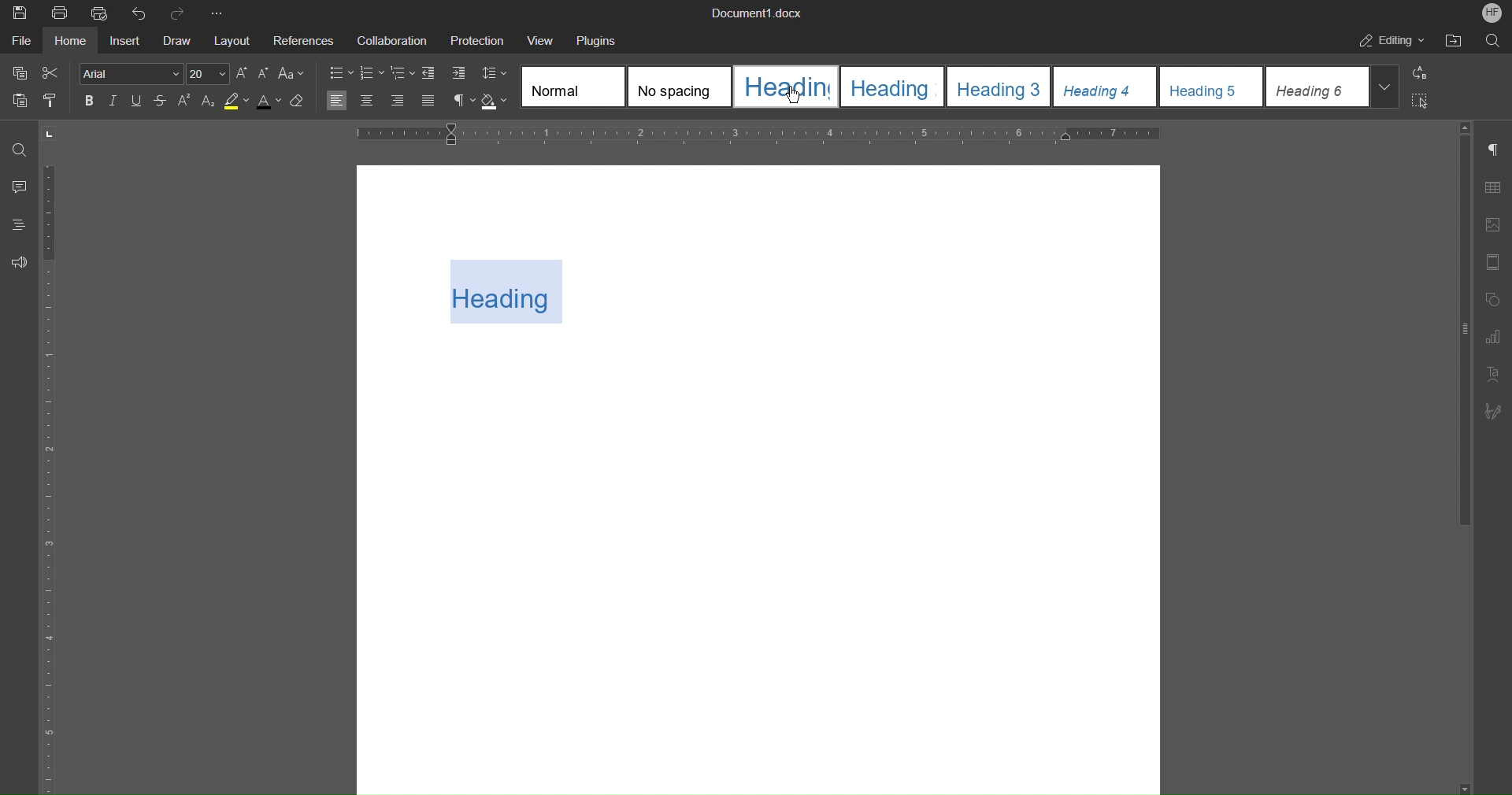 This screenshot has width=1512, height=795. I want to click on Image Settings, so click(1495, 223).